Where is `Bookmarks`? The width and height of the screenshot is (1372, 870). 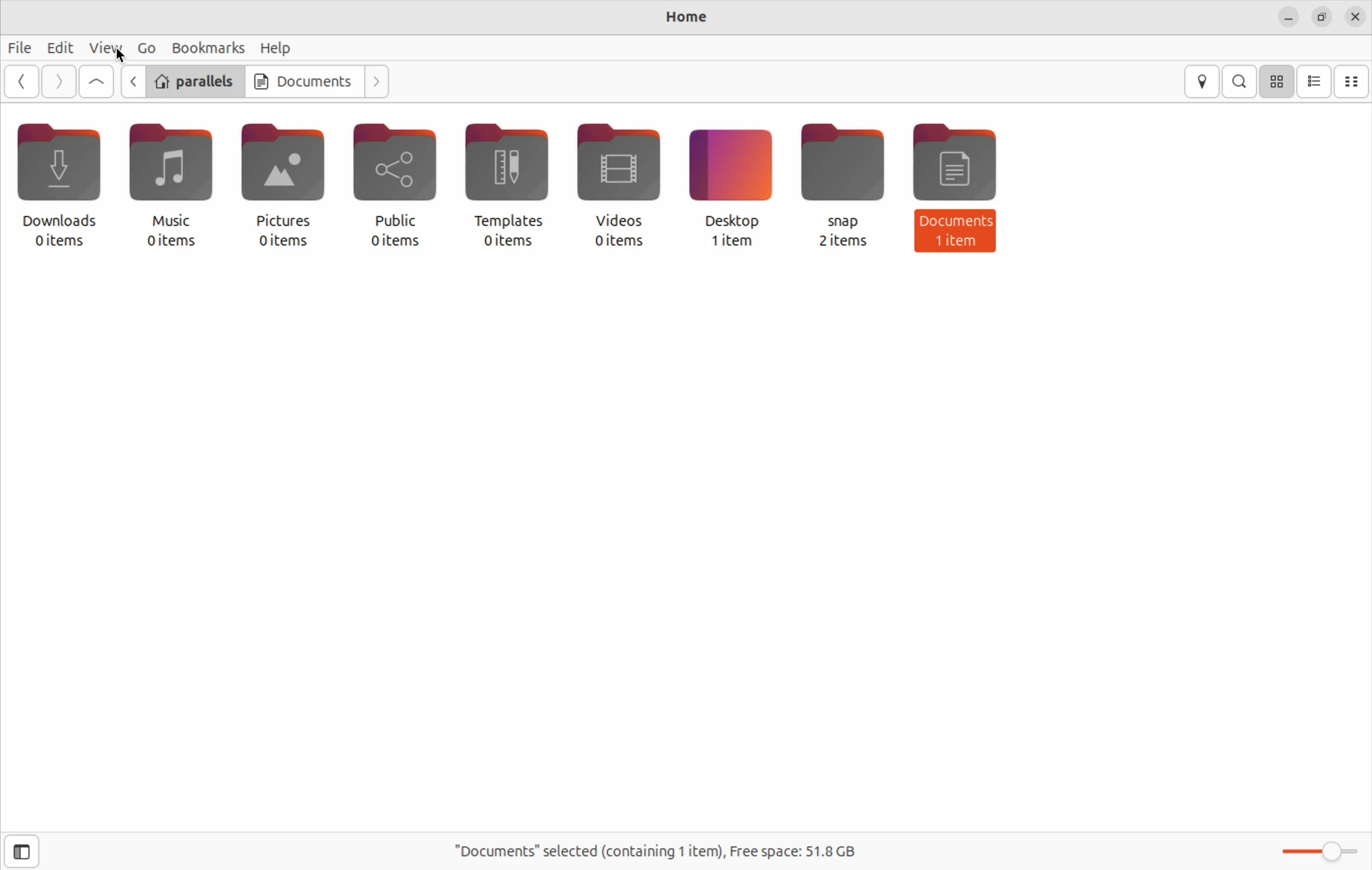 Bookmarks is located at coordinates (211, 45).